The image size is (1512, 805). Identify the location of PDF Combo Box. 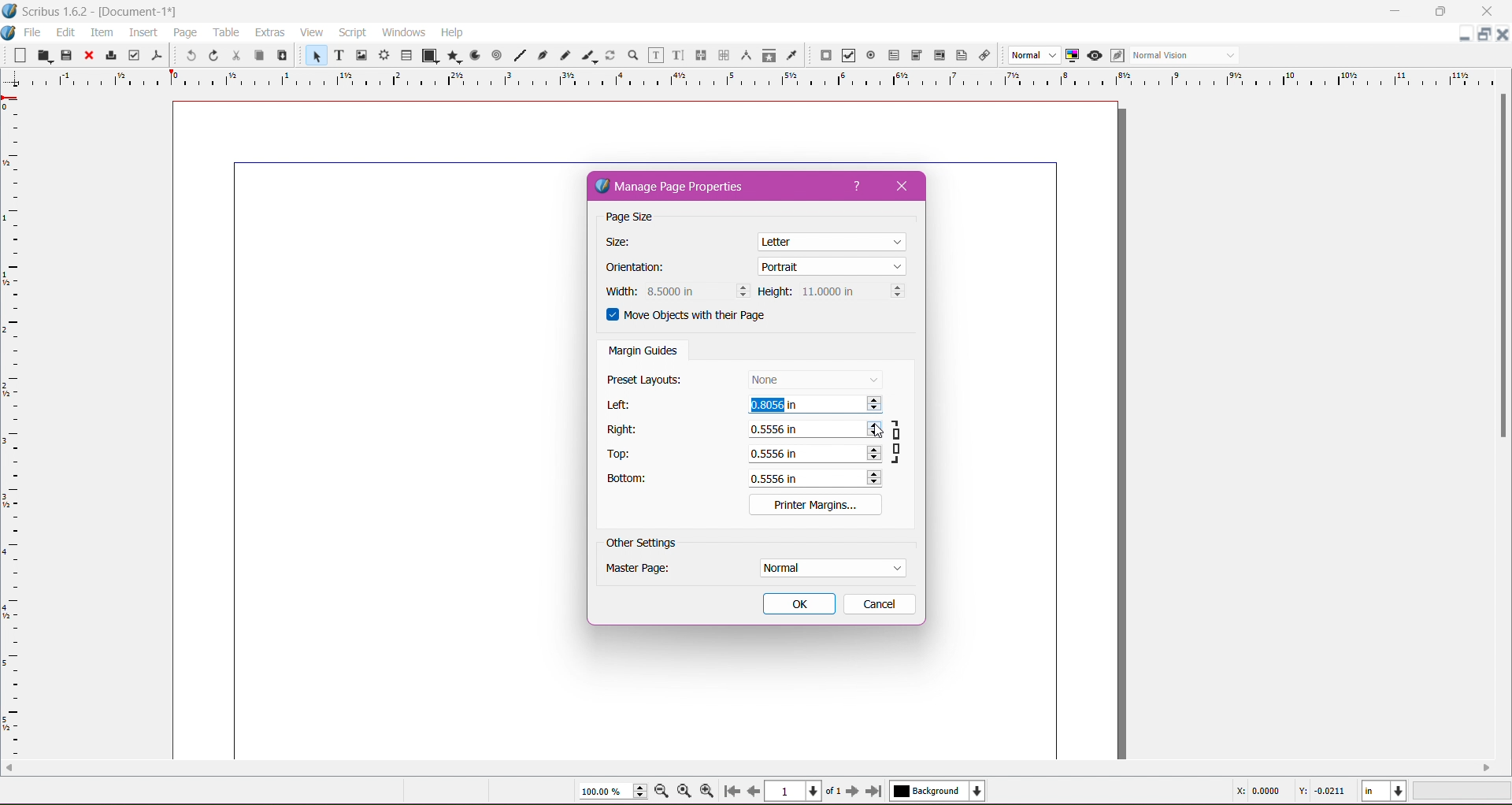
(917, 55).